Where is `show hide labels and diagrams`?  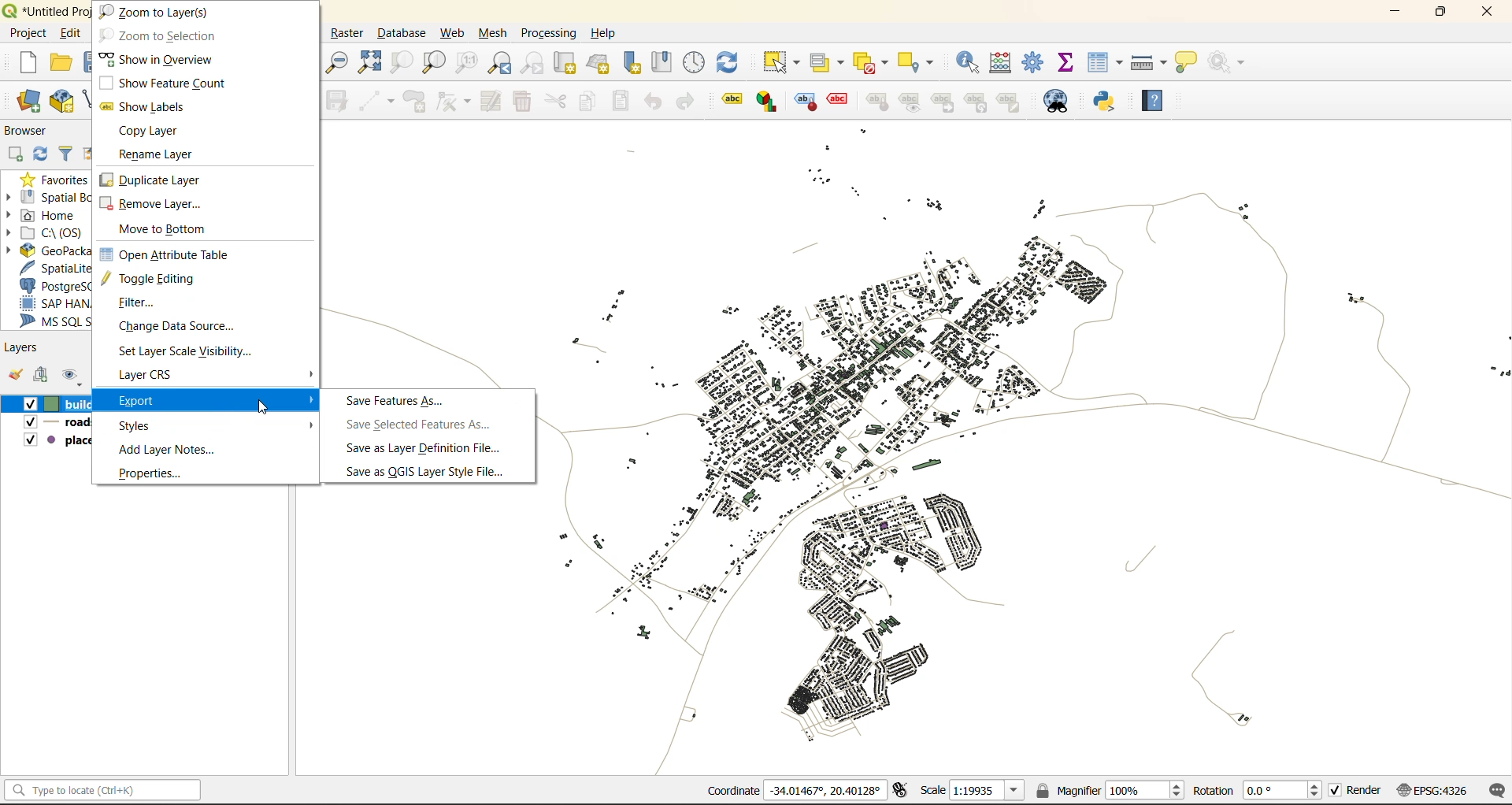
show hide labels and diagrams is located at coordinates (906, 102).